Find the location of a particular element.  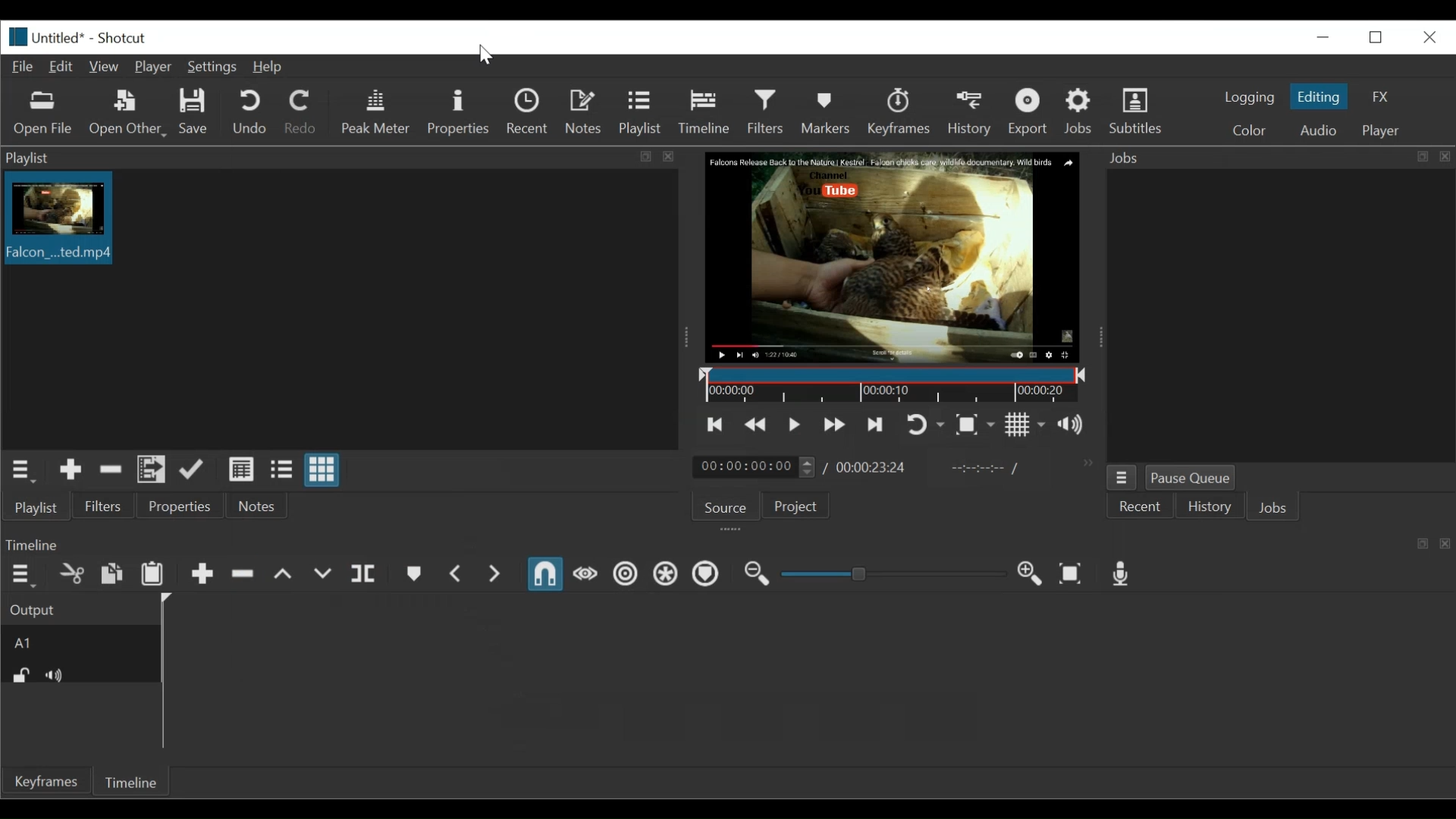

minimize is located at coordinates (1325, 36).